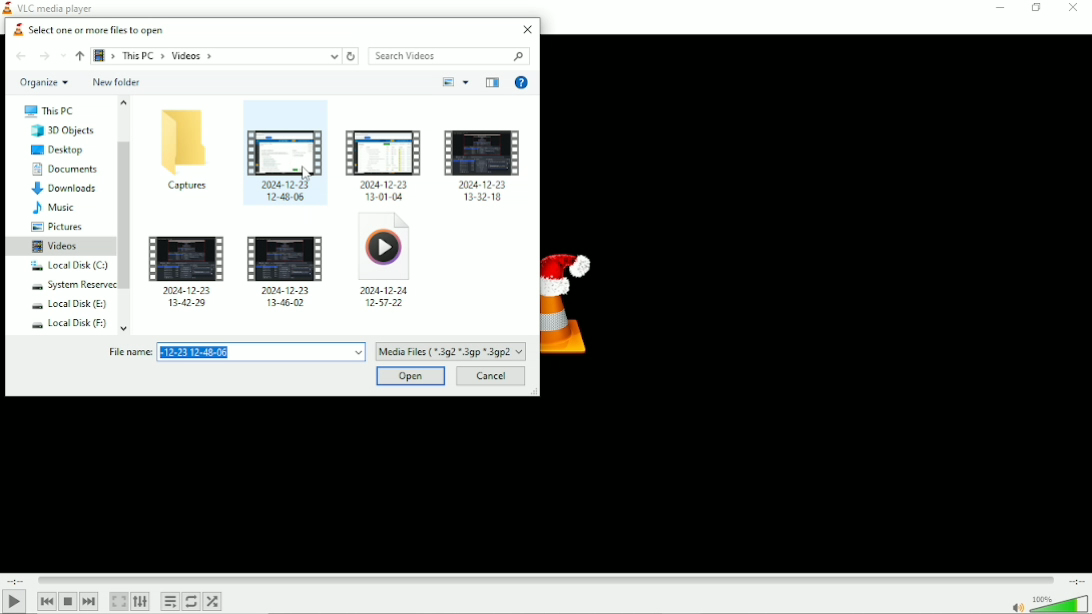  Describe the element at coordinates (213, 603) in the screenshot. I see `Random` at that location.